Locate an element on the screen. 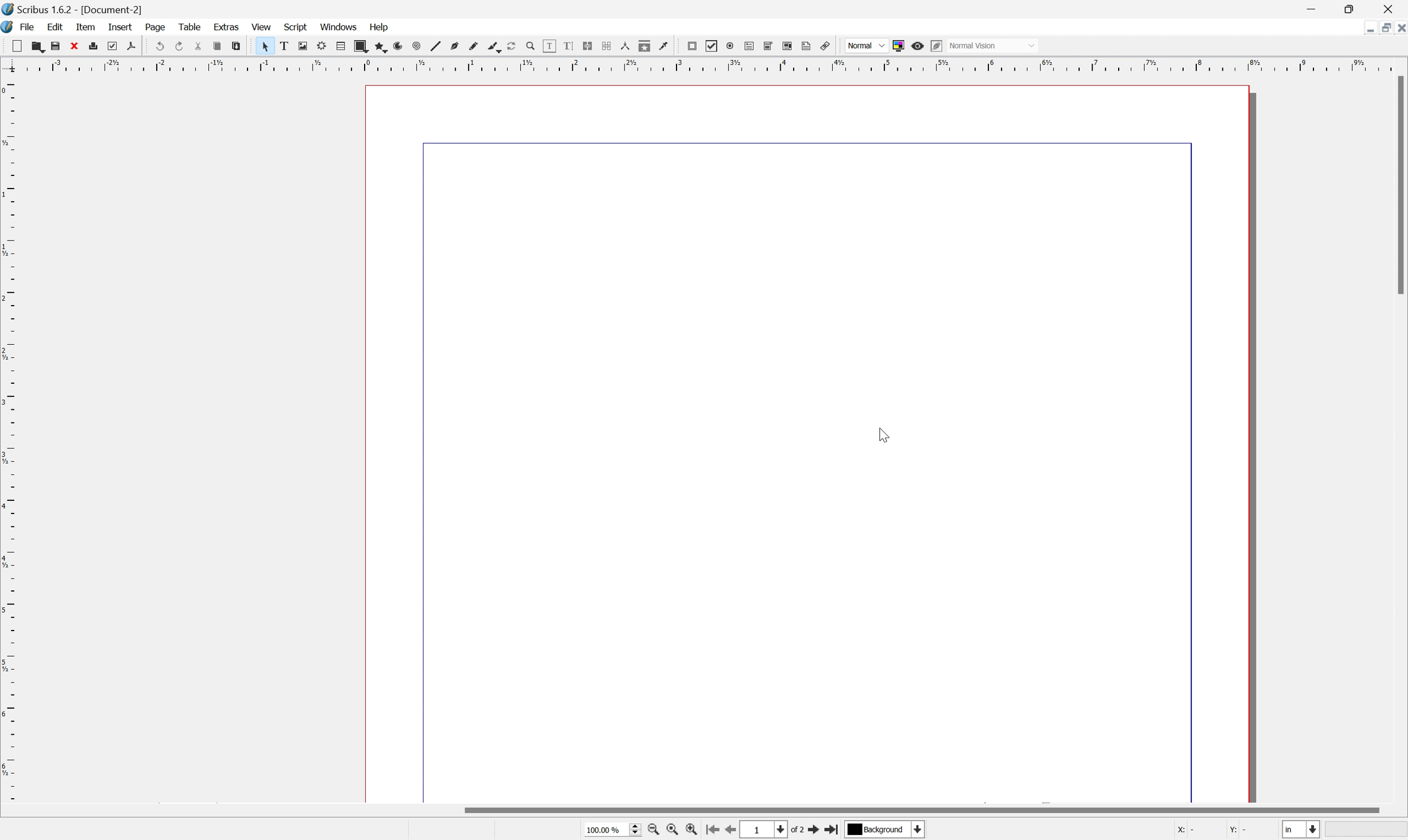 This screenshot has height=840, width=1408. go to next page is located at coordinates (814, 831).